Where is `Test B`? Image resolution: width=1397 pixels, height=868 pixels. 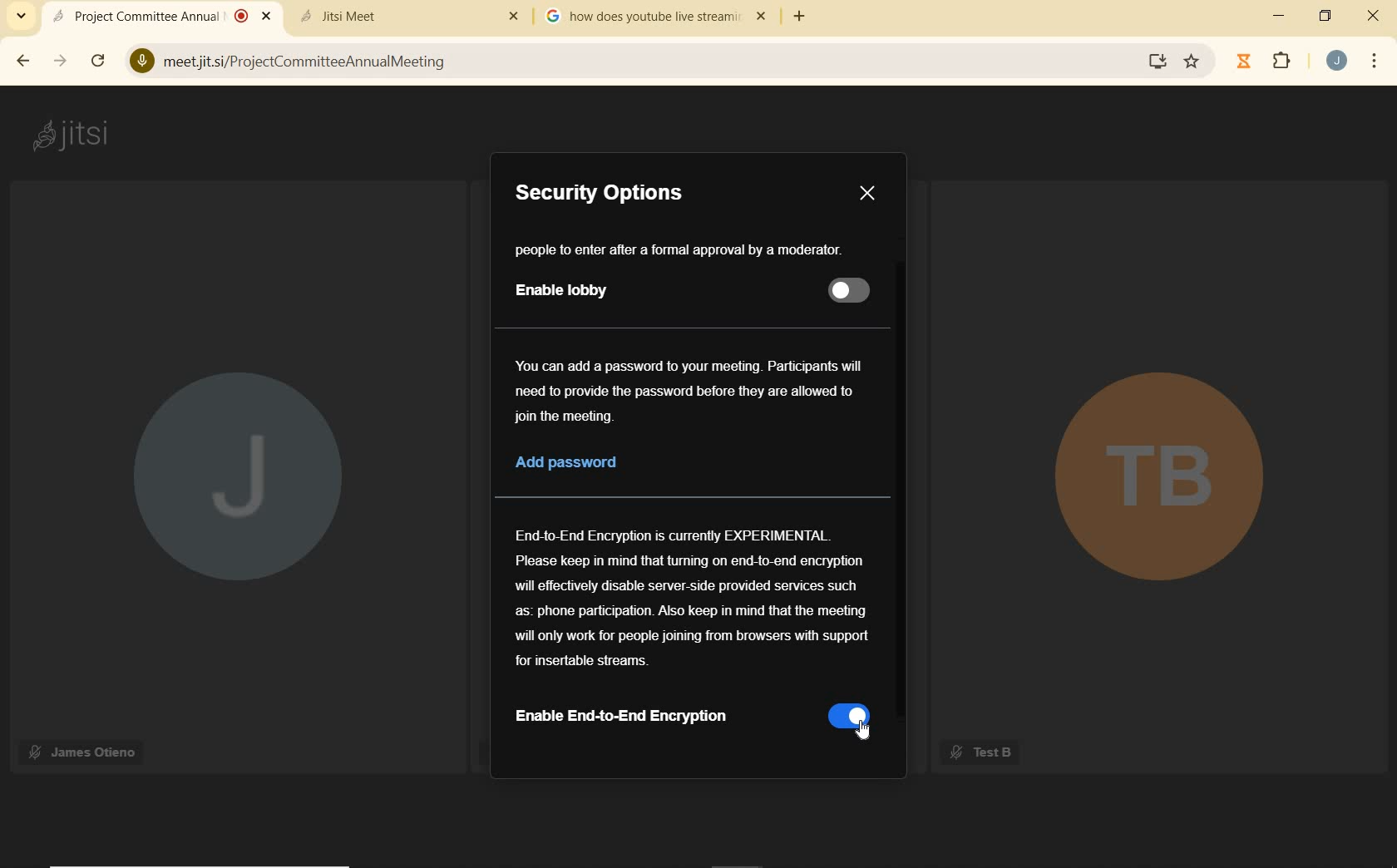 Test B is located at coordinates (980, 752).